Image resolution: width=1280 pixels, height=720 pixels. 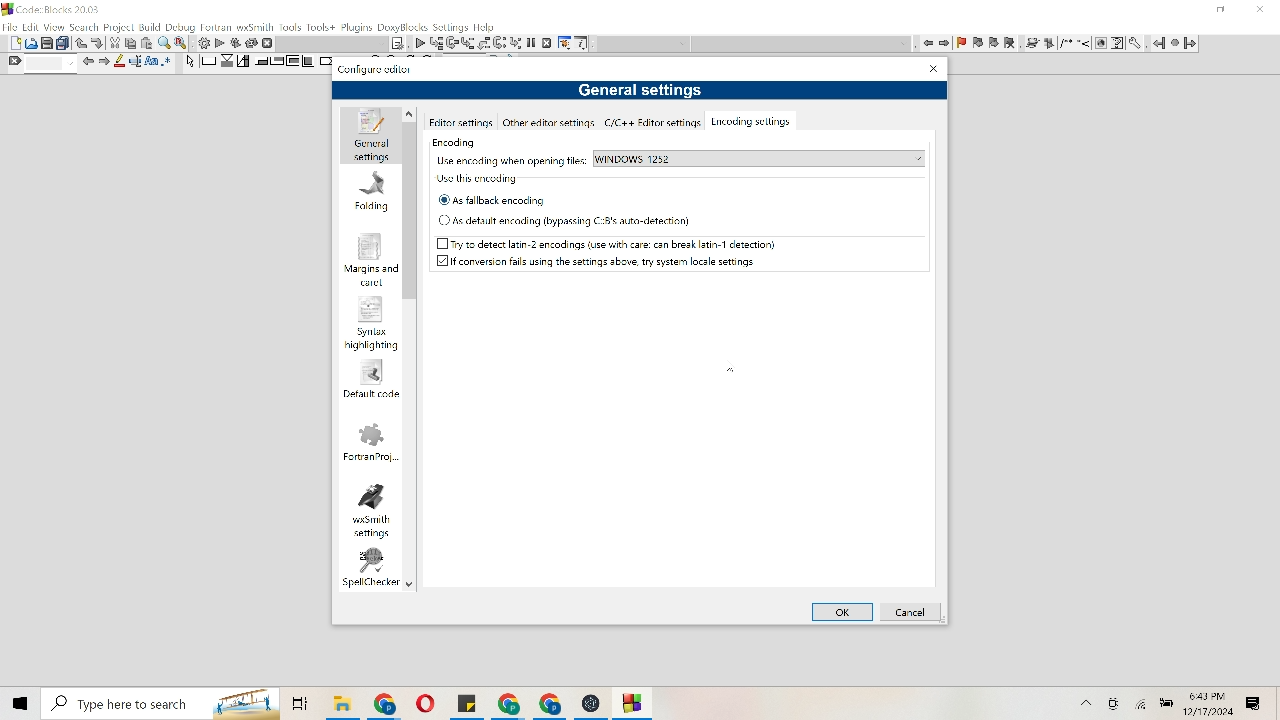 I want to click on Encoding, so click(x=454, y=141).